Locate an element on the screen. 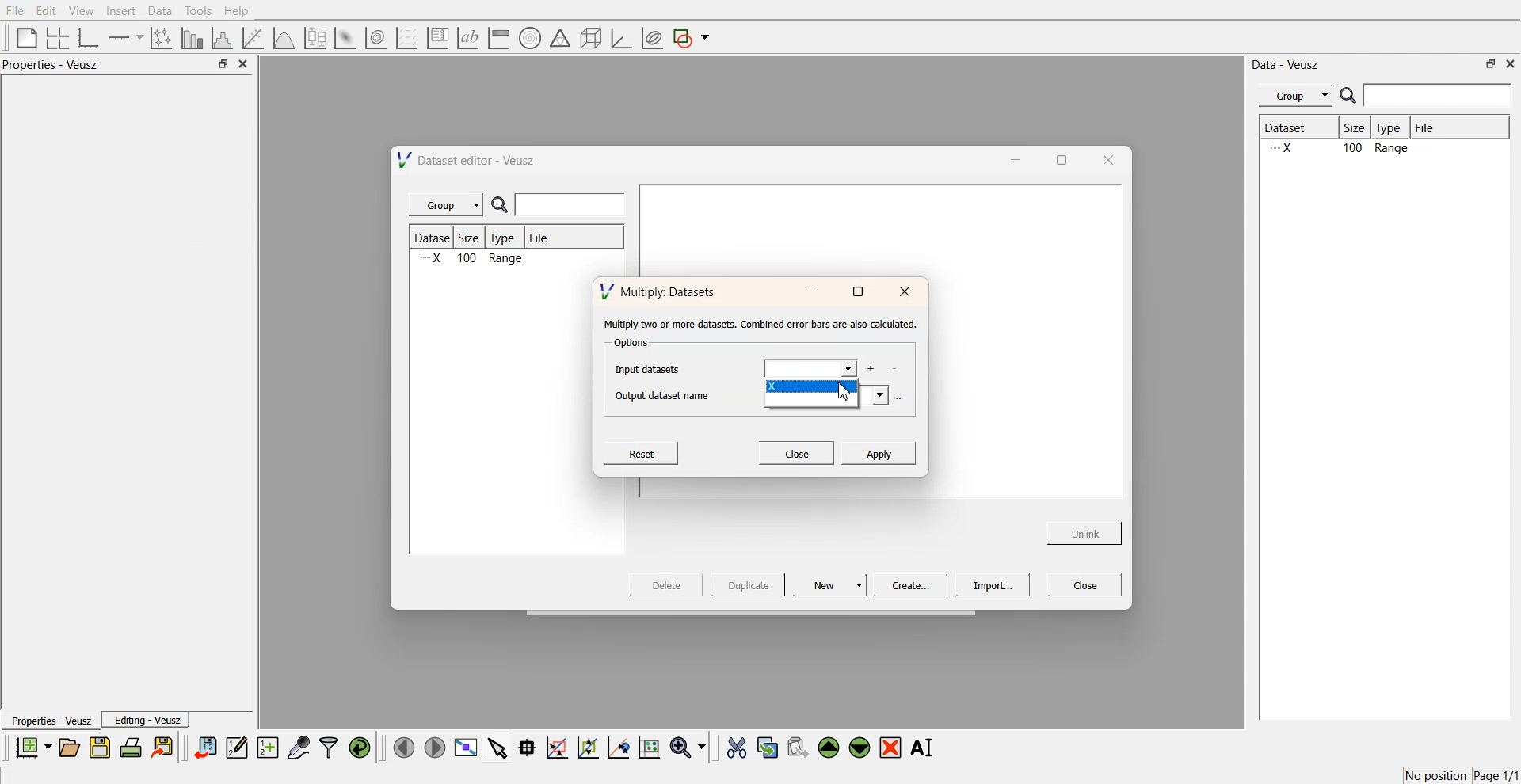  Delete is located at coordinates (668, 584).